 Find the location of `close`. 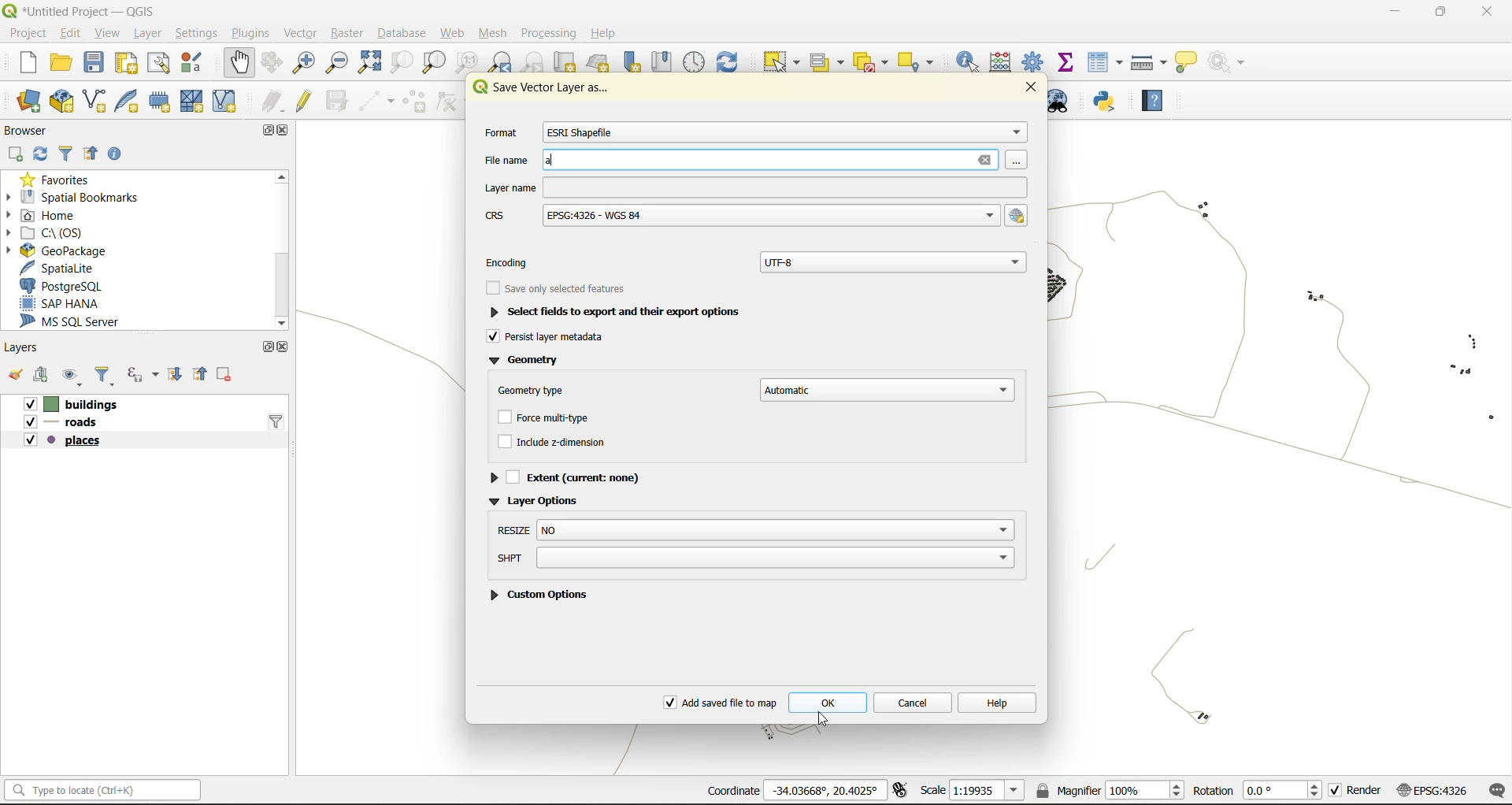

close is located at coordinates (1484, 13).